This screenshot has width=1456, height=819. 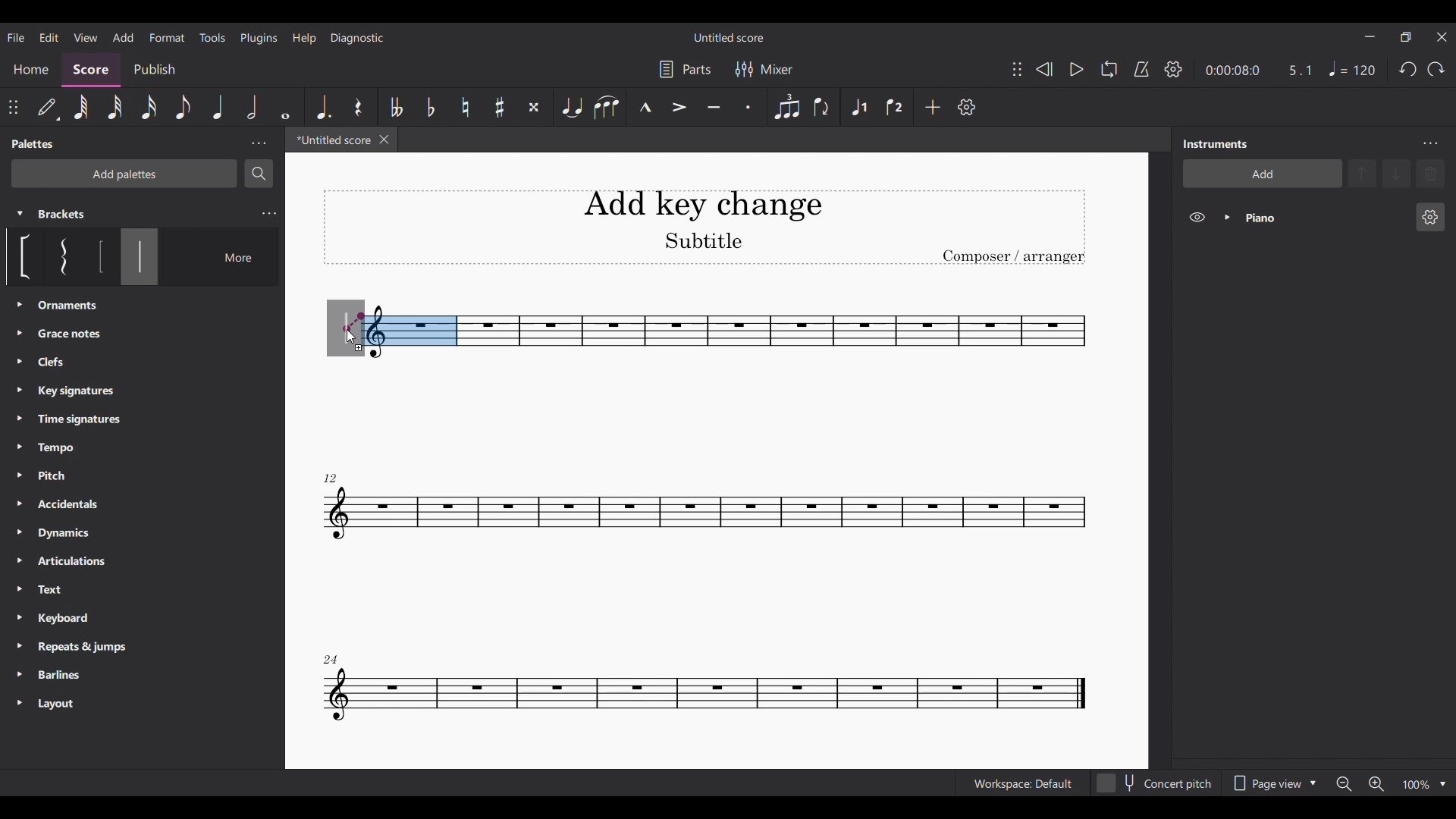 What do you see at coordinates (645, 108) in the screenshot?
I see `Marcato` at bounding box center [645, 108].